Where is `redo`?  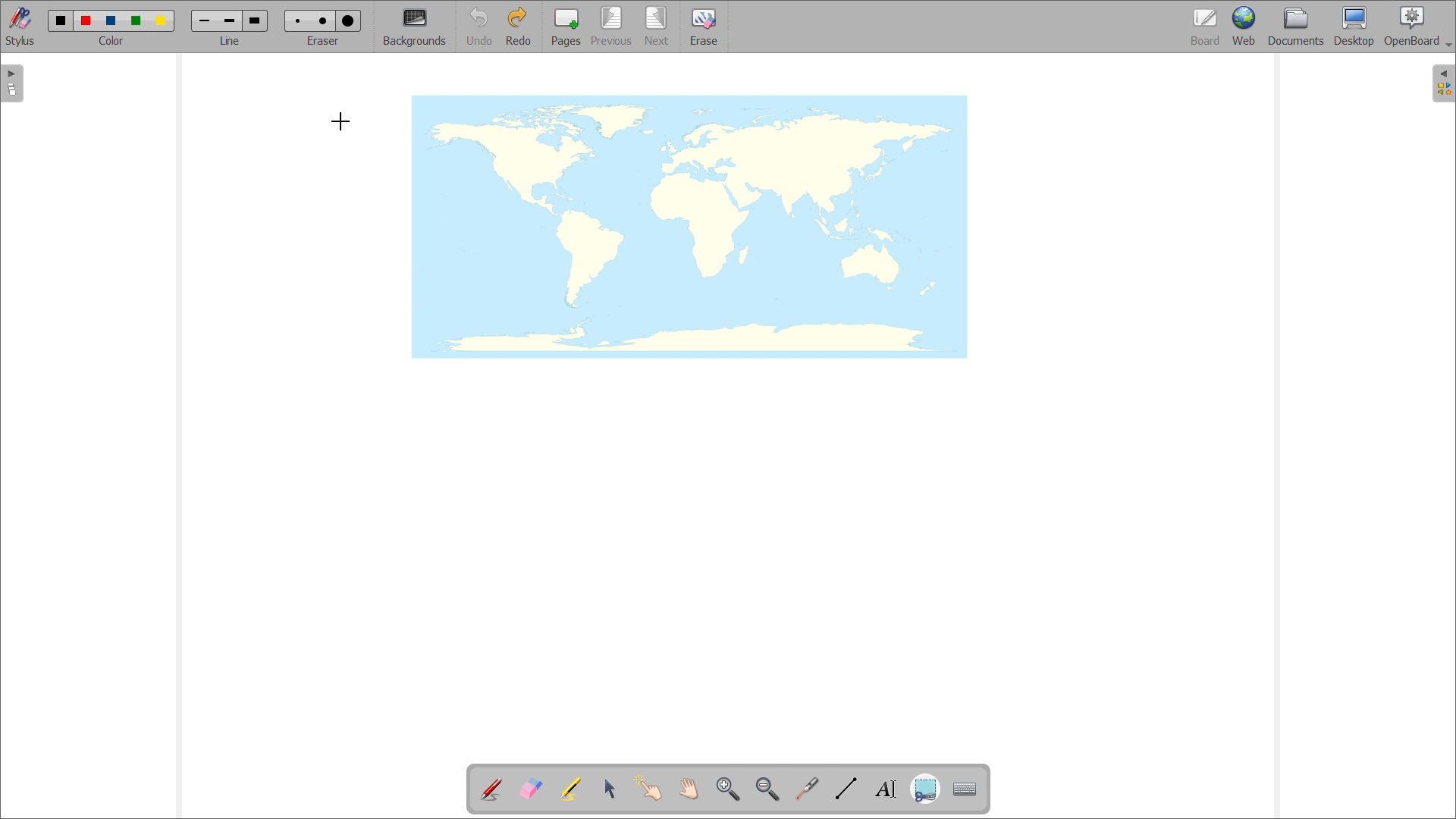 redo is located at coordinates (518, 26).